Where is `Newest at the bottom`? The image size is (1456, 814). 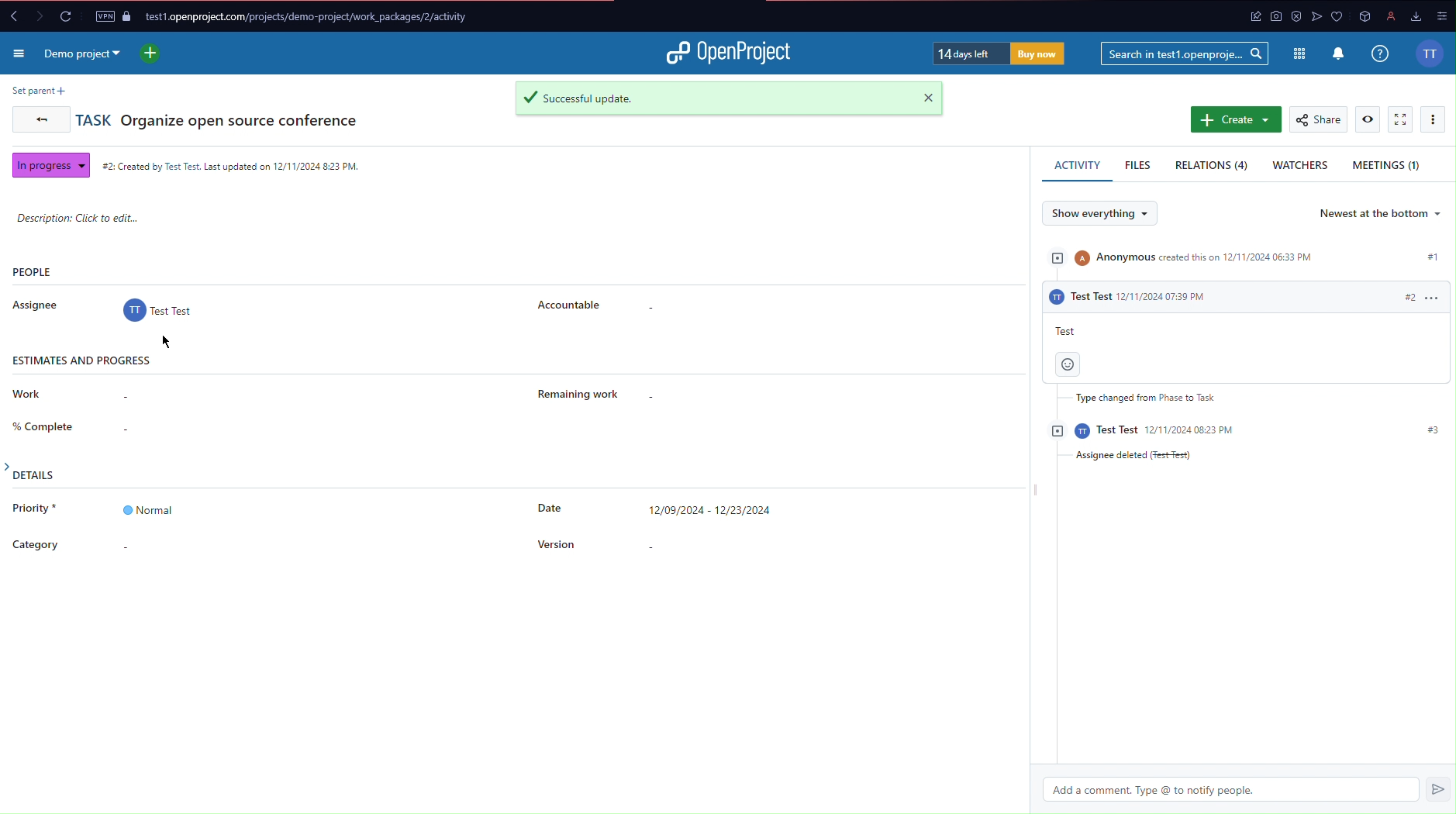
Newest at the bottom is located at coordinates (1381, 215).